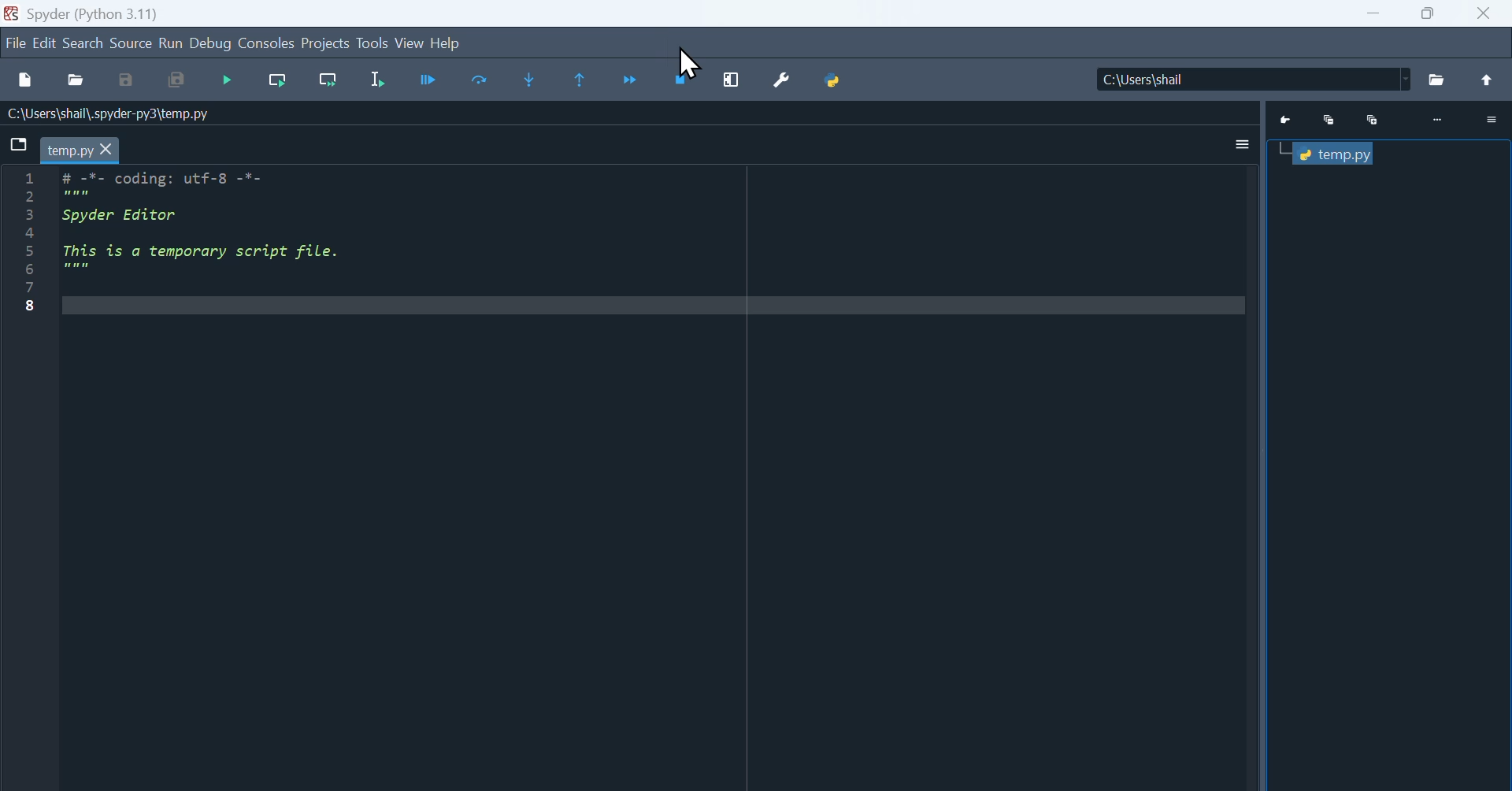 Image resolution: width=1512 pixels, height=791 pixels. I want to click on minimize, so click(1373, 13).